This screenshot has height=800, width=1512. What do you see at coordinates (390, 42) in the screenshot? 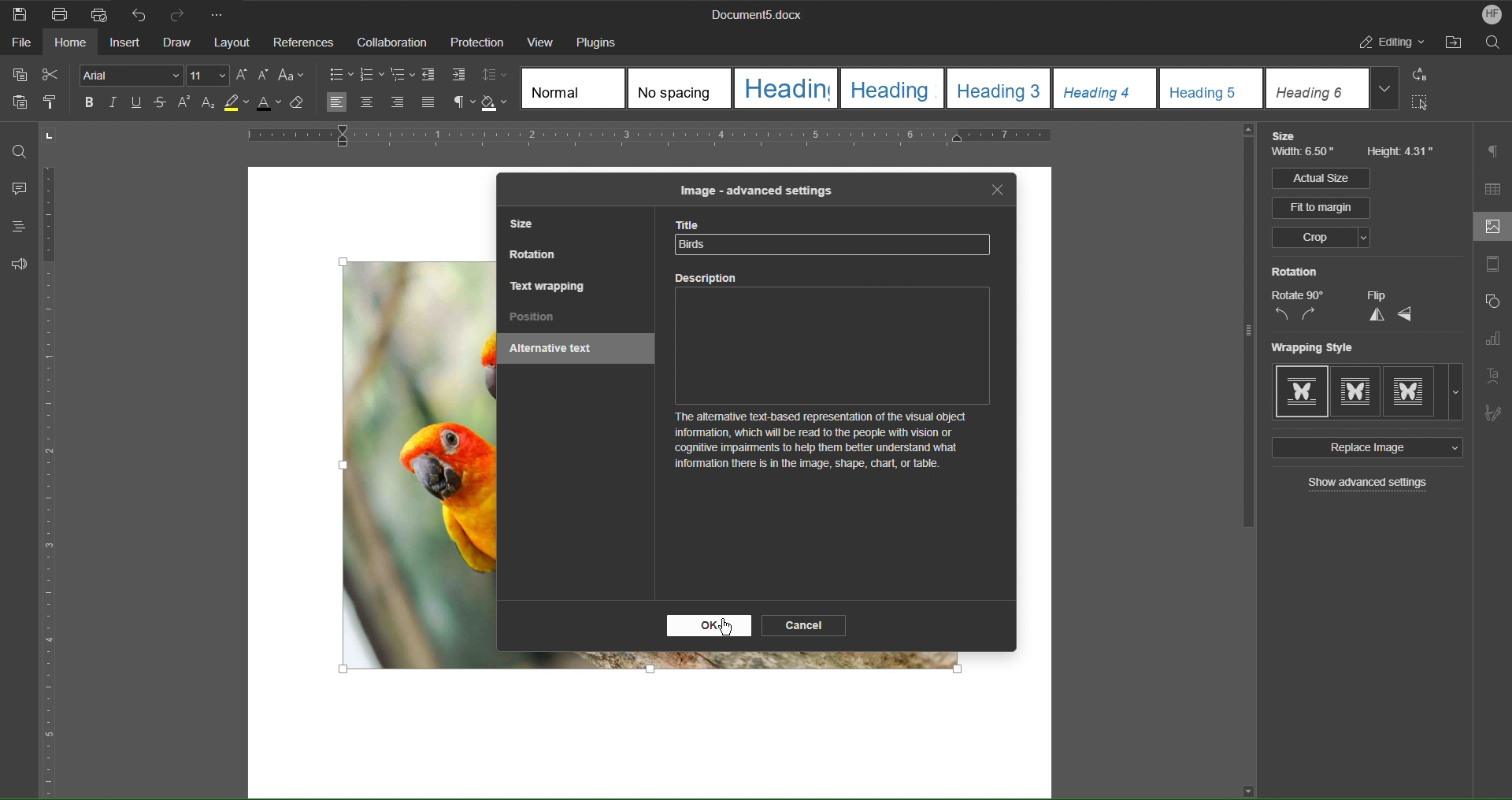
I see `Collaboration` at bounding box center [390, 42].